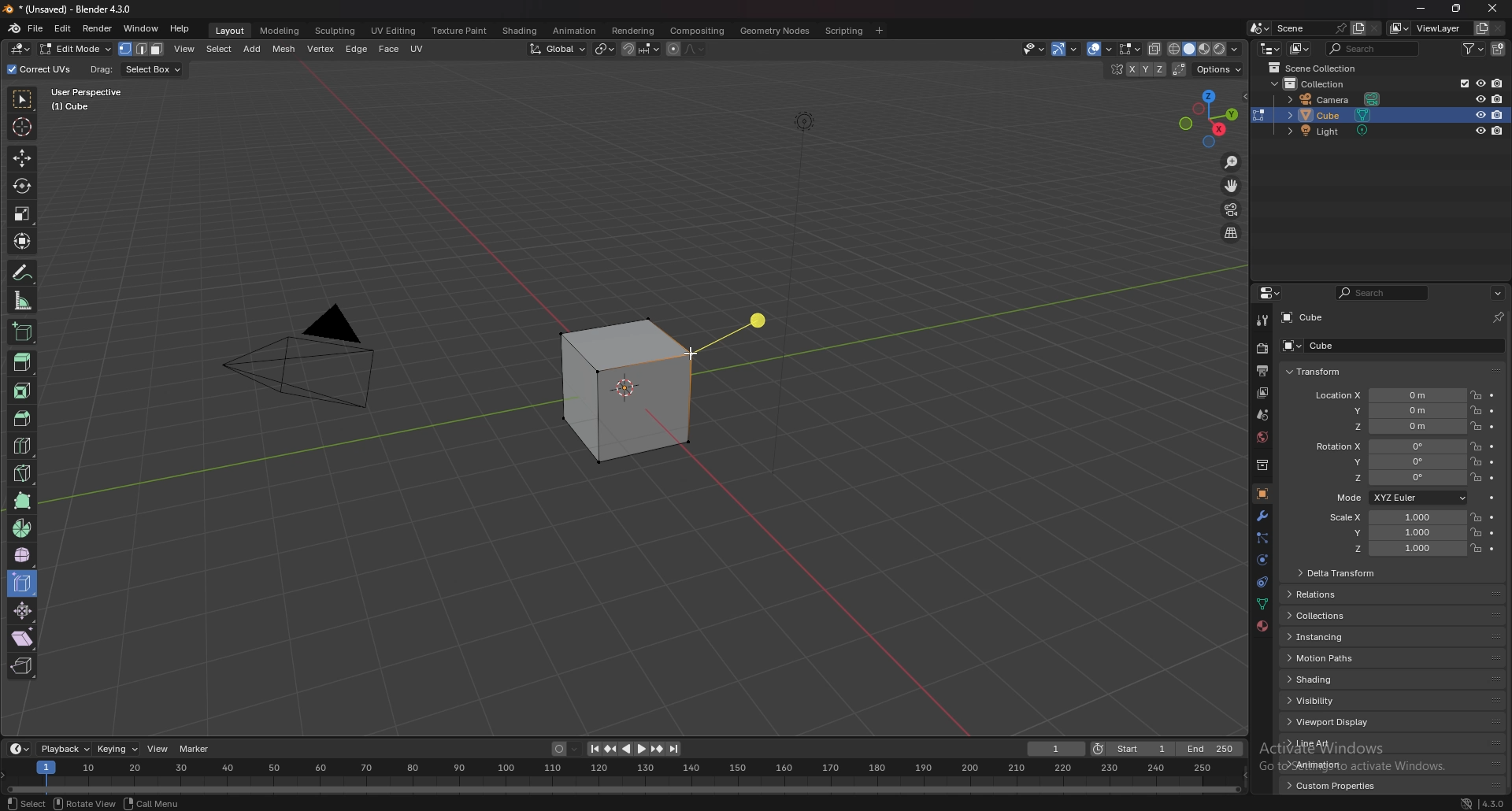 The image size is (1512, 811). What do you see at coordinates (1475, 477) in the screenshot?
I see `lock` at bounding box center [1475, 477].